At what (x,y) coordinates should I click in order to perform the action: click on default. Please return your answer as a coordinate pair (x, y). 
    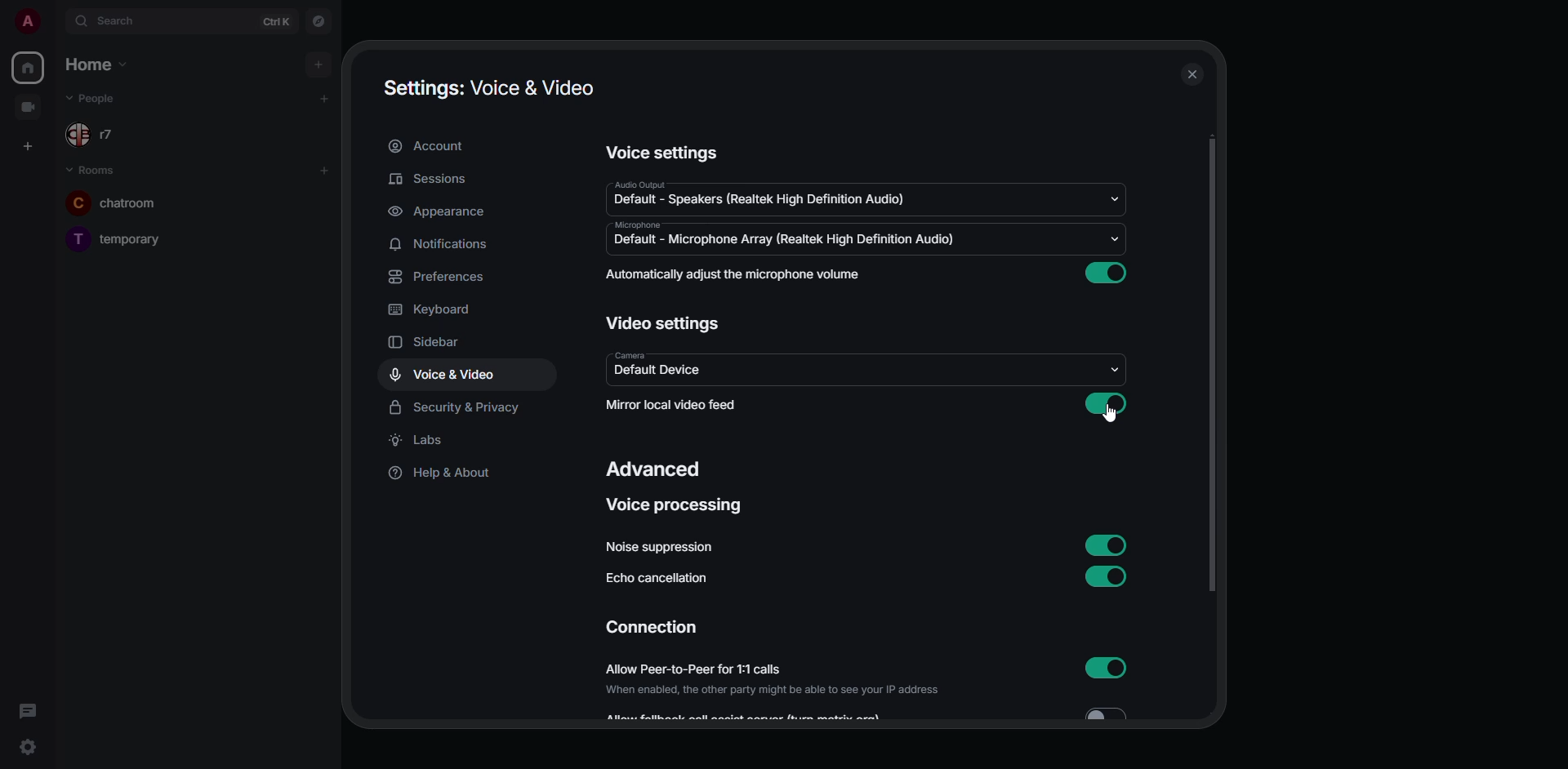
    Looking at the image, I should click on (666, 371).